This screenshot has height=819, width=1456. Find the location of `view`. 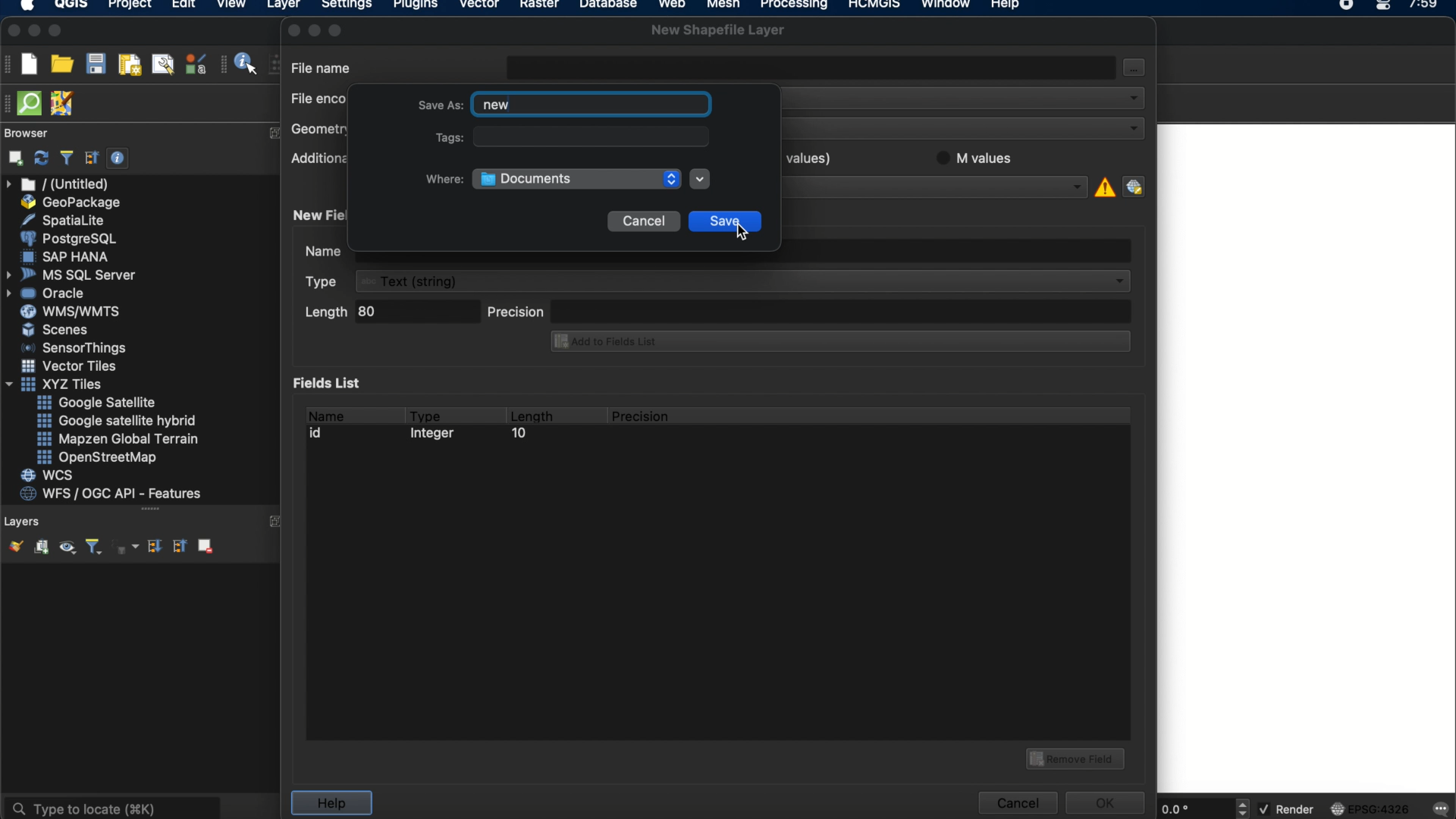

view is located at coordinates (231, 6).